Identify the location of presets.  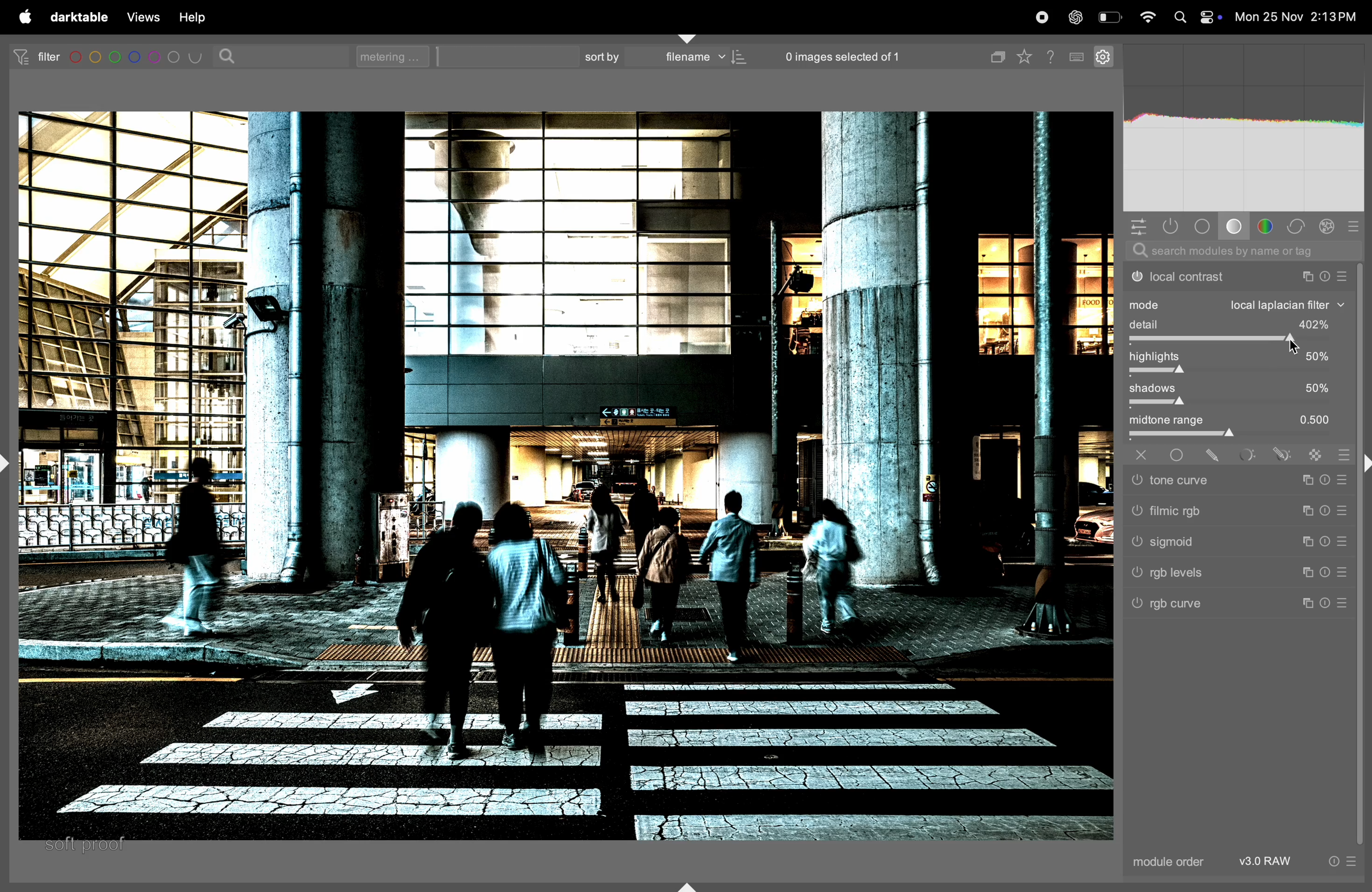
(1355, 225).